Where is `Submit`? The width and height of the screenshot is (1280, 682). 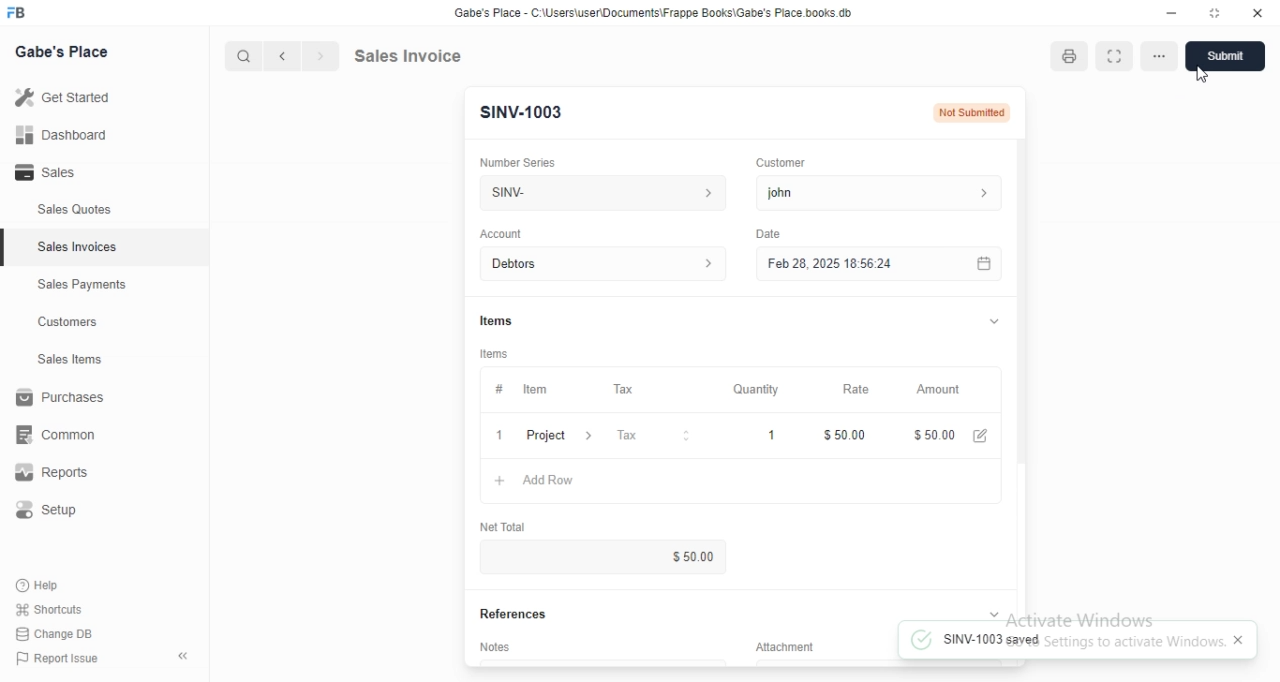
Submit is located at coordinates (1224, 55).